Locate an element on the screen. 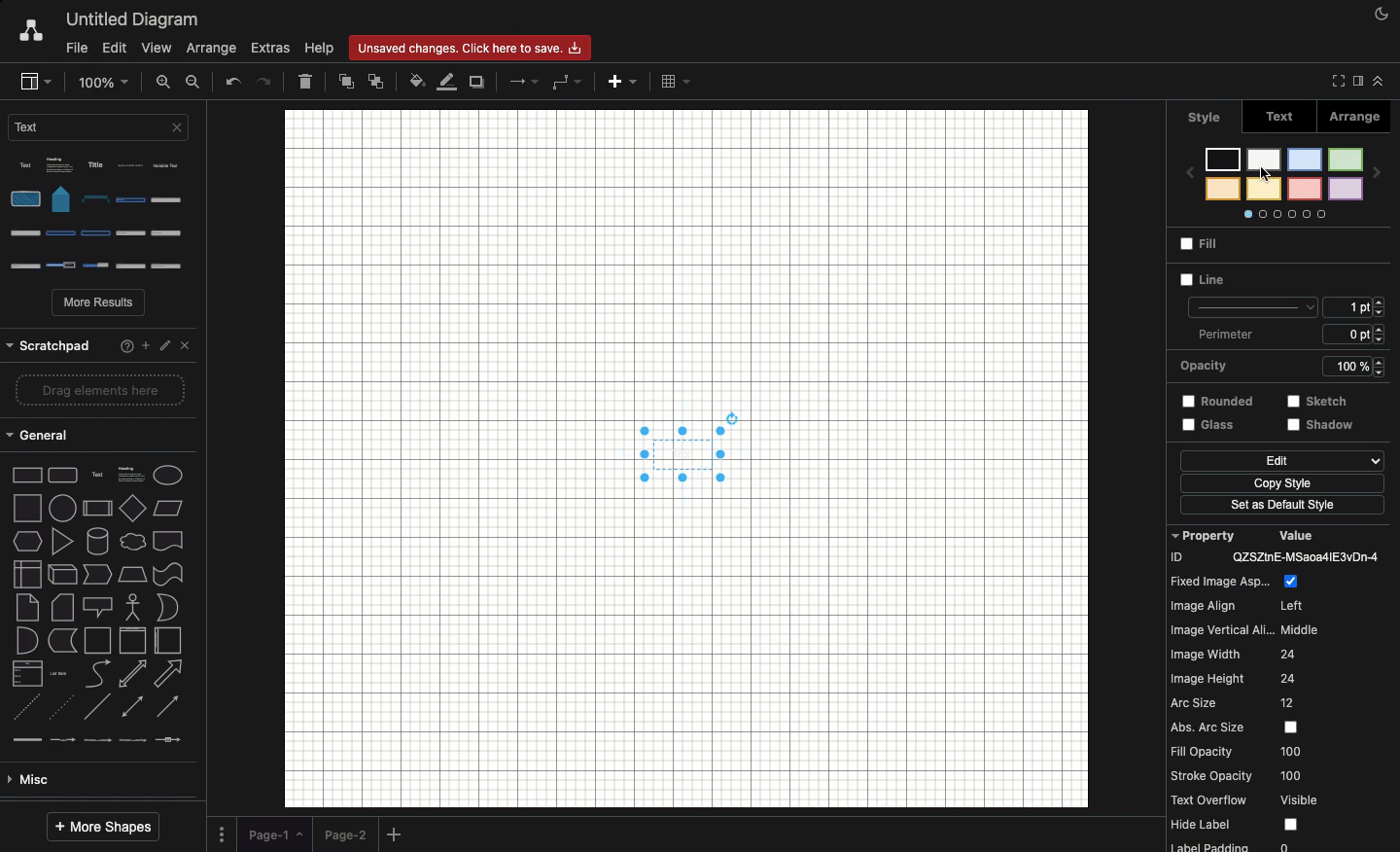  Help is located at coordinates (319, 49).